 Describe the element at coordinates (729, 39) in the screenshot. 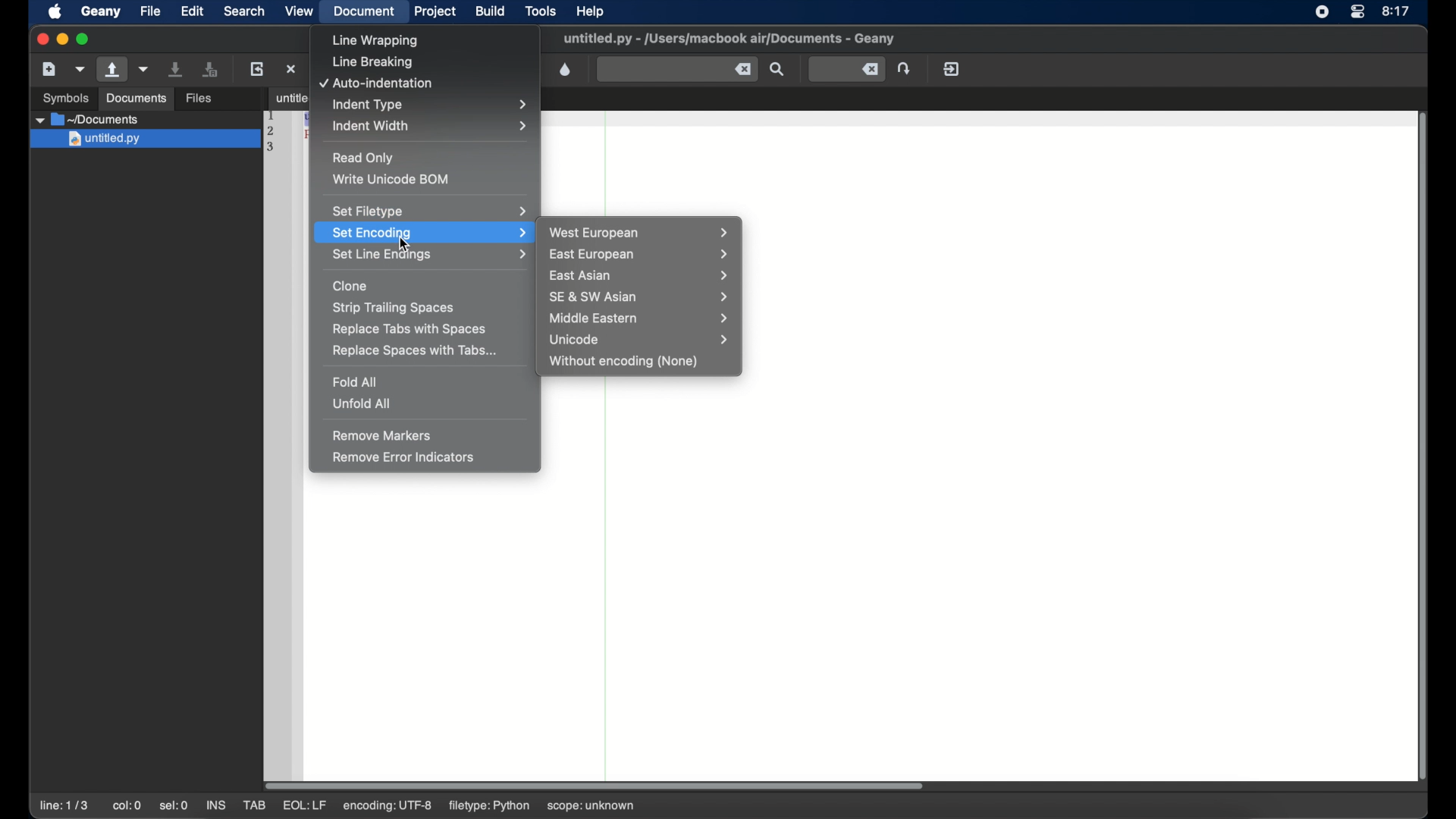

I see `file name` at that location.